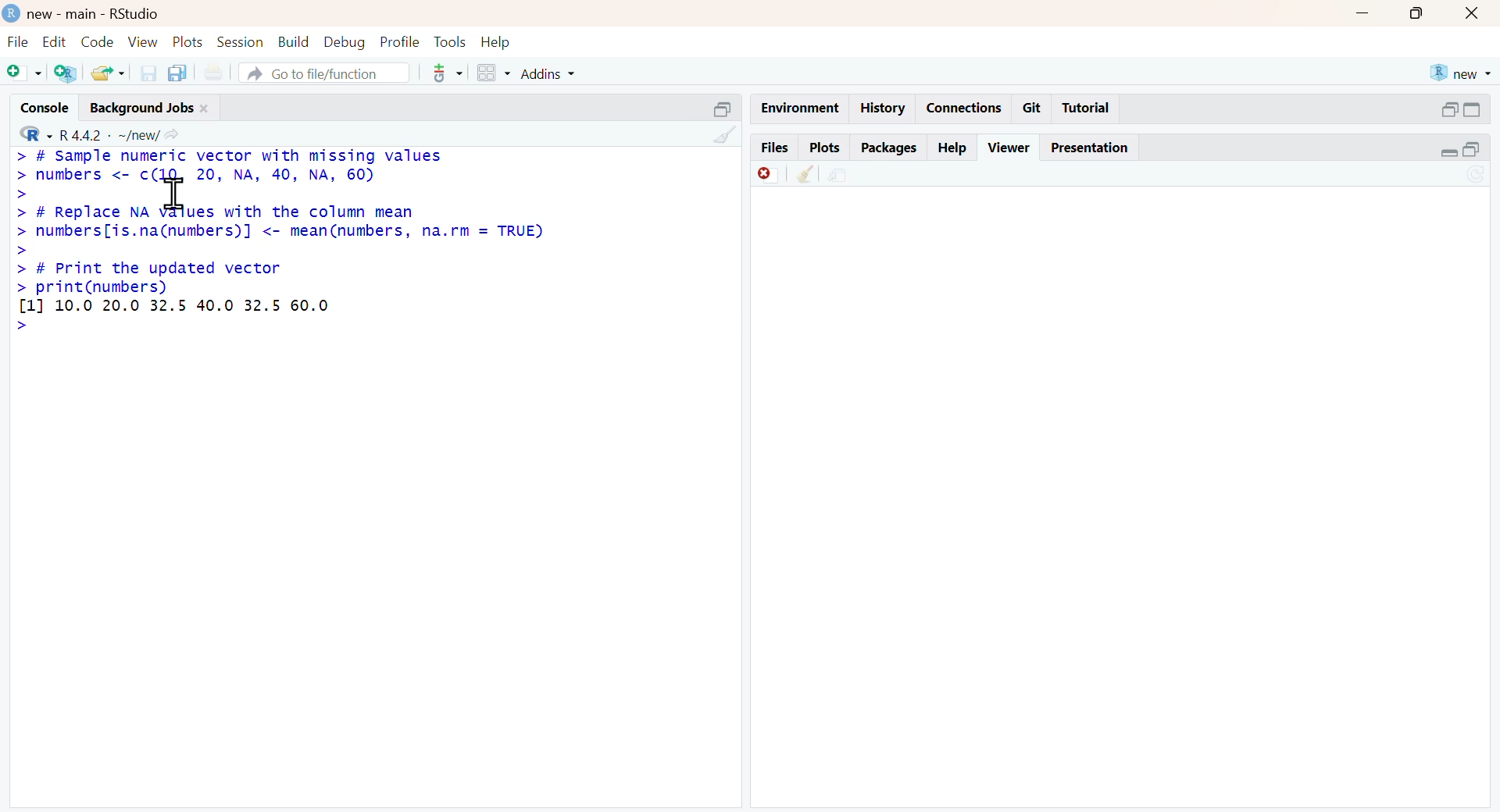 Image resolution: width=1500 pixels, height=812 pixels. Describe the element at coordinates (1087, 109) in the screenshot. I see `tutorial` at that location.